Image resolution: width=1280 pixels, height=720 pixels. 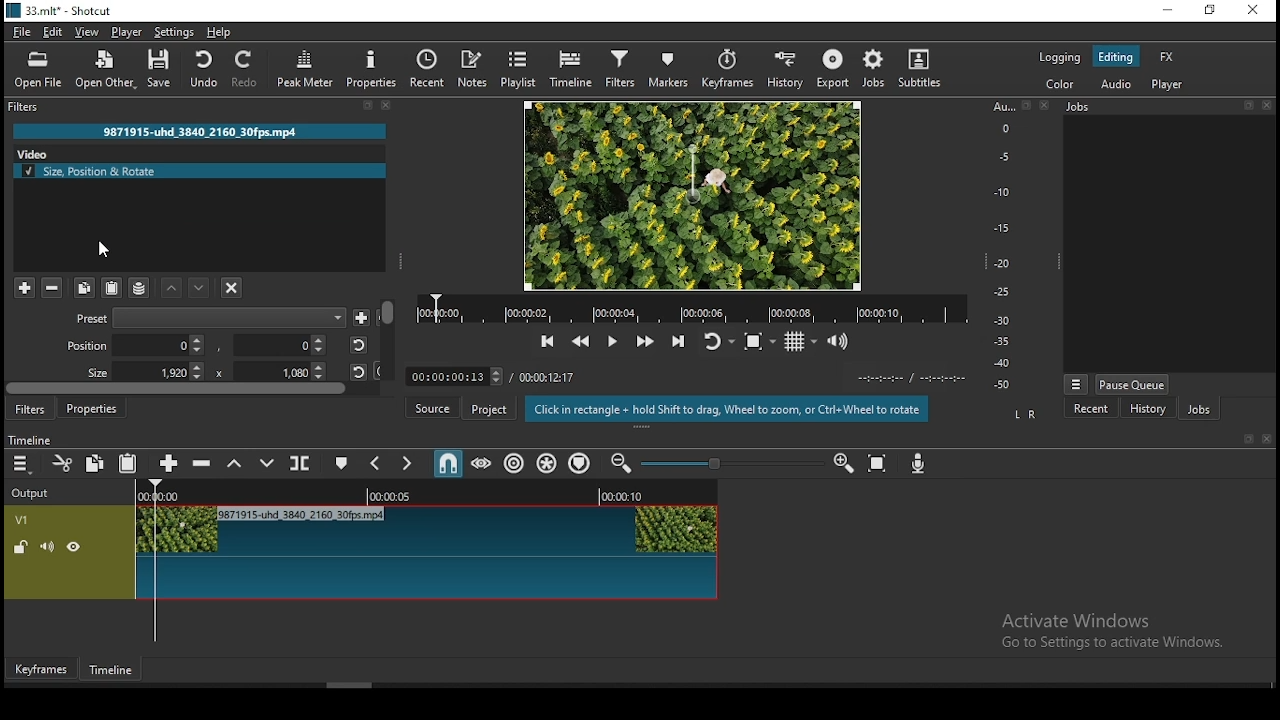 What do you see at coordinates (427, 492) in the screenshot?
I see `video time duration bar` at bounding box center [427, 492].